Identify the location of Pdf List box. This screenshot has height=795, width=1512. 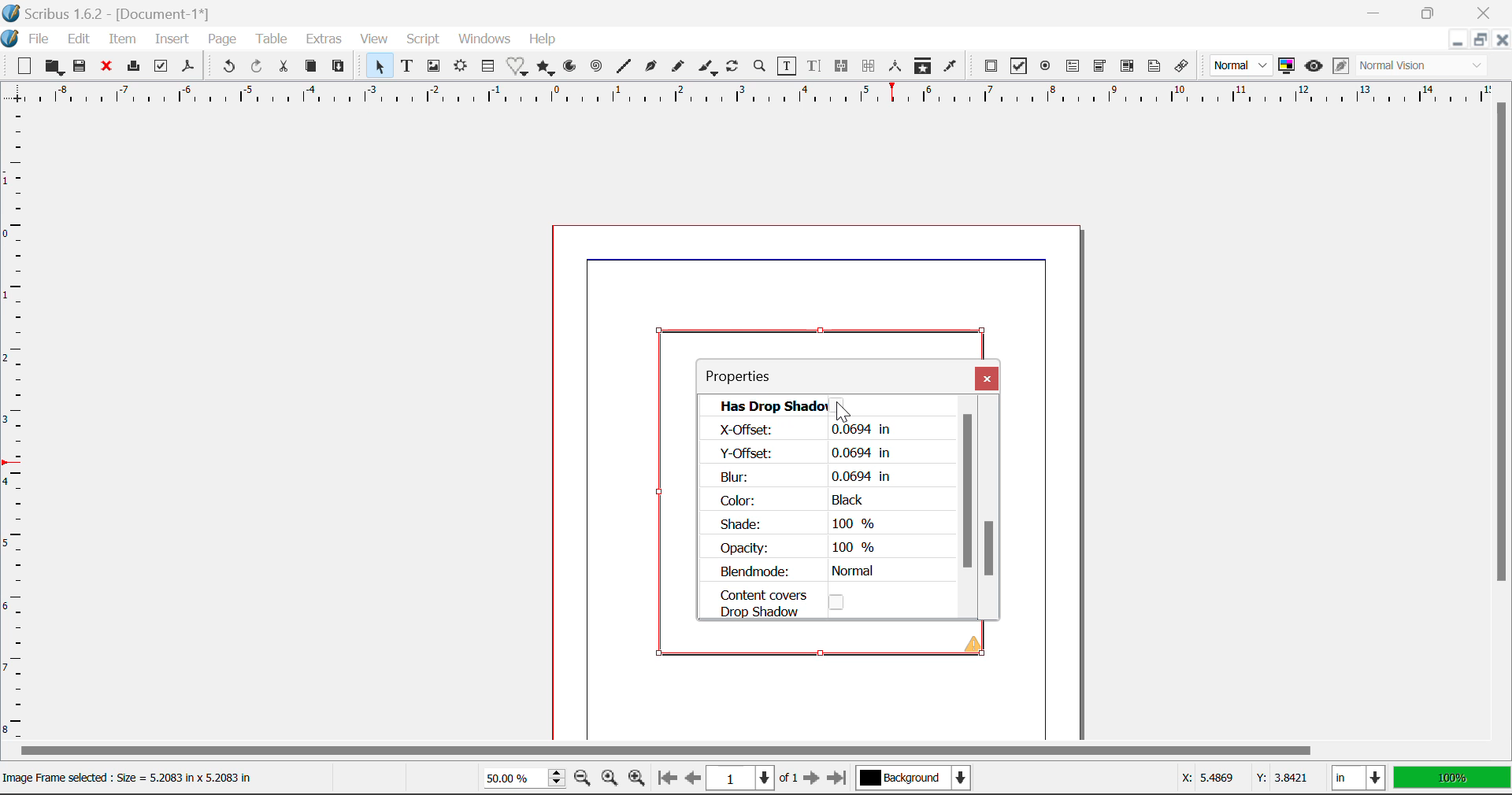
(1126, 68).